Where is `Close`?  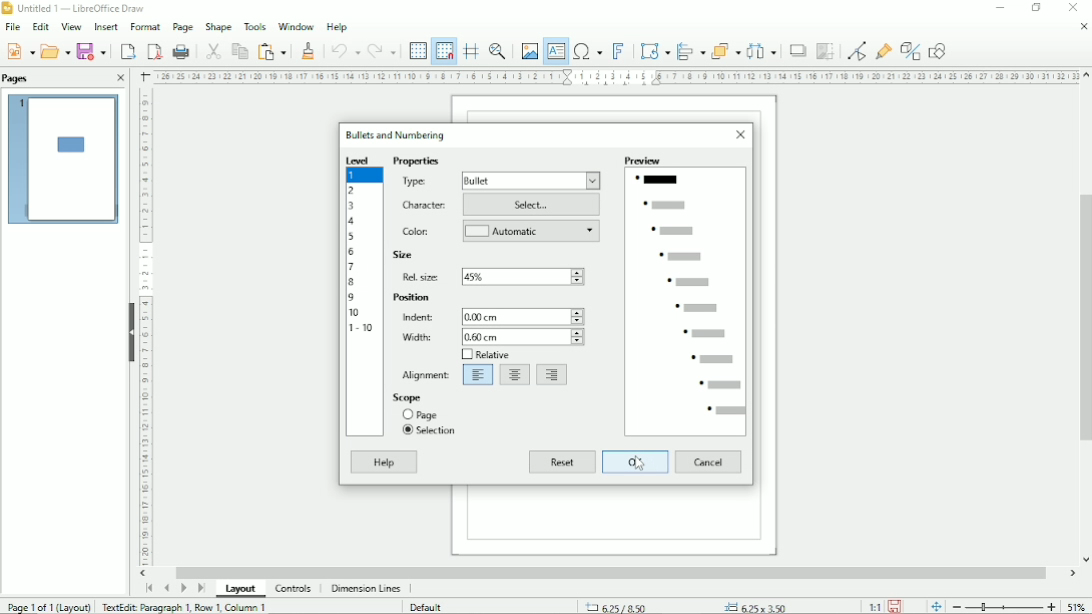 Close is located at coordinates (1071, 8).